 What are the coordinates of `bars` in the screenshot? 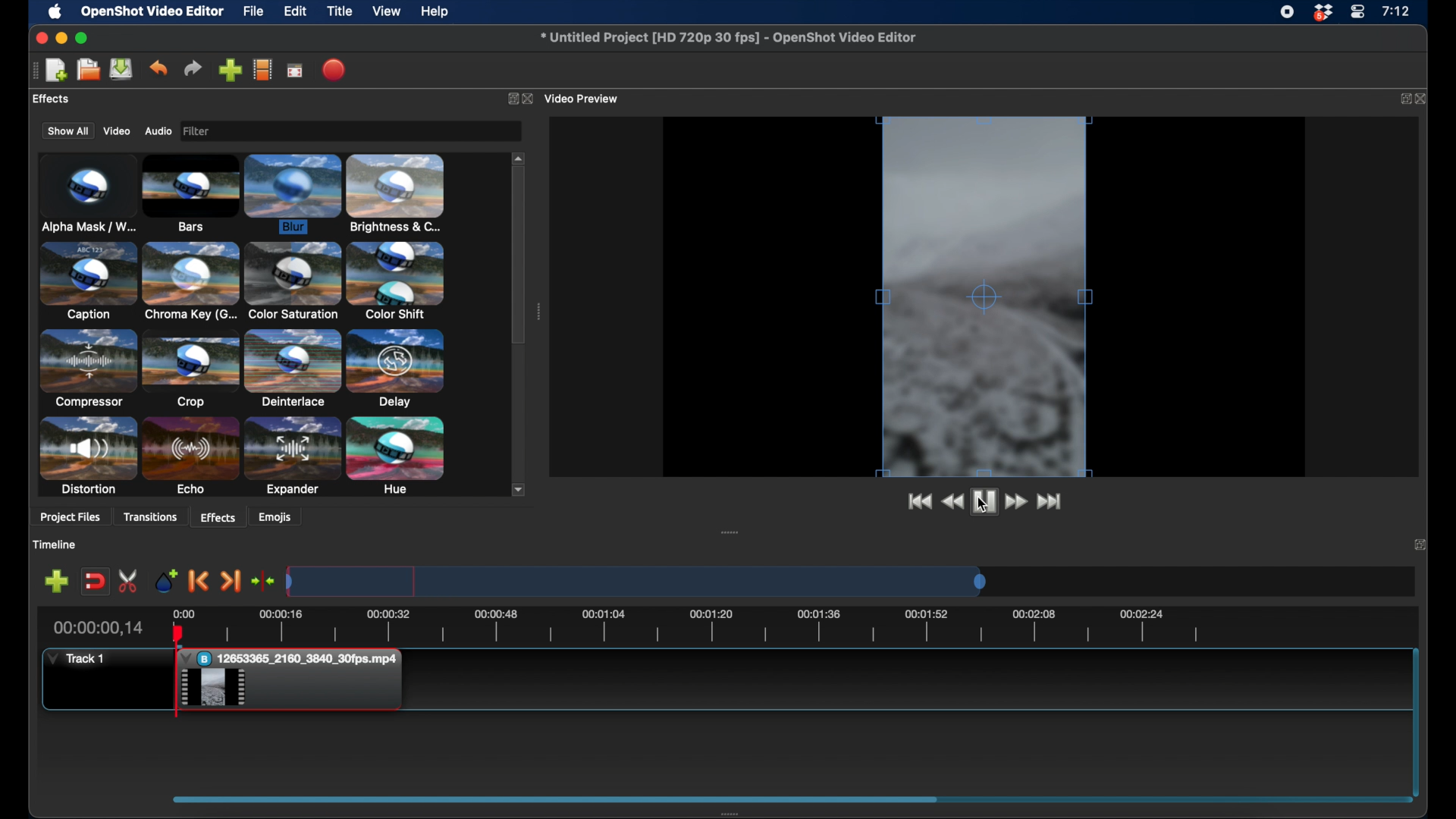 It's located at (191, 194).